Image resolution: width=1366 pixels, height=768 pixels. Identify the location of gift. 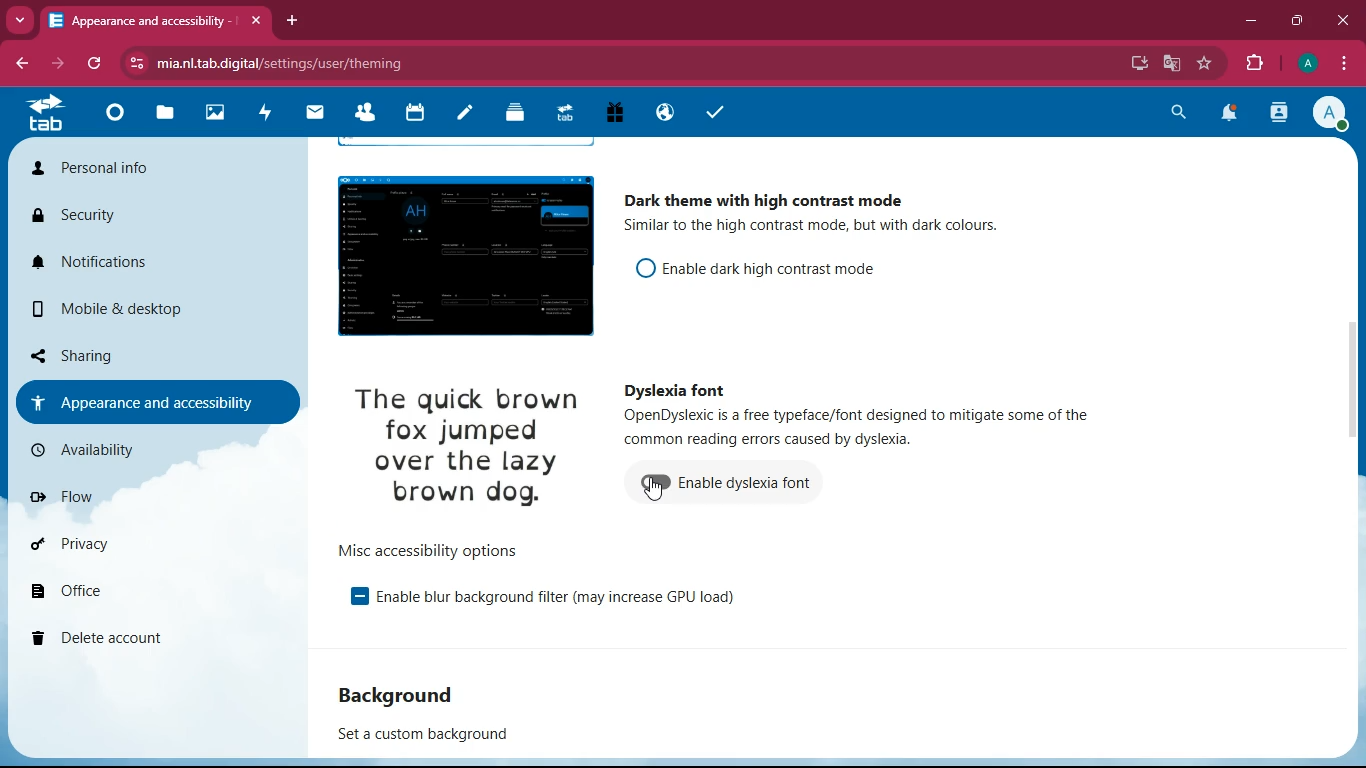
(609, 112).